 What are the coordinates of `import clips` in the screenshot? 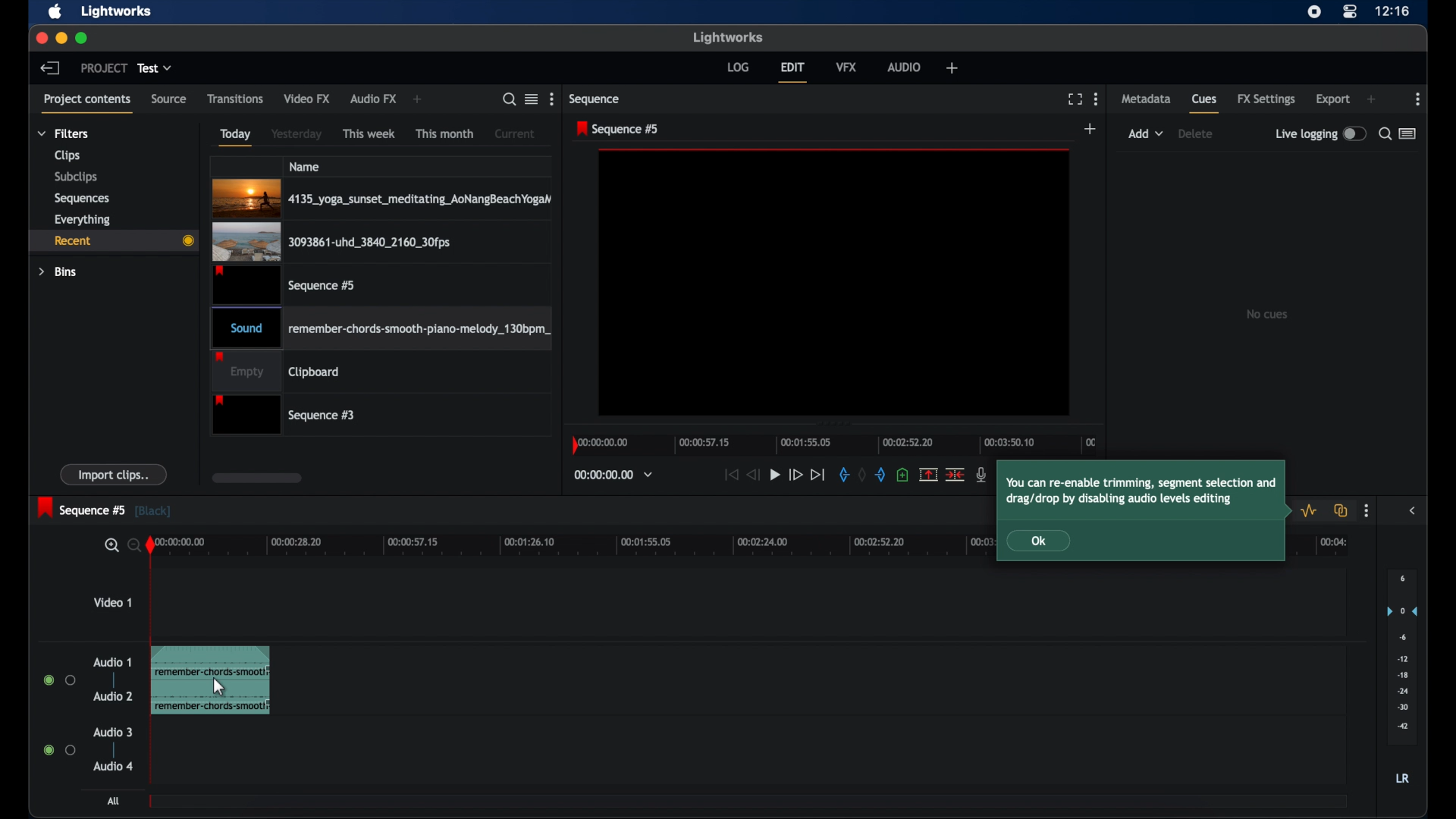 It's located at (114, 474).